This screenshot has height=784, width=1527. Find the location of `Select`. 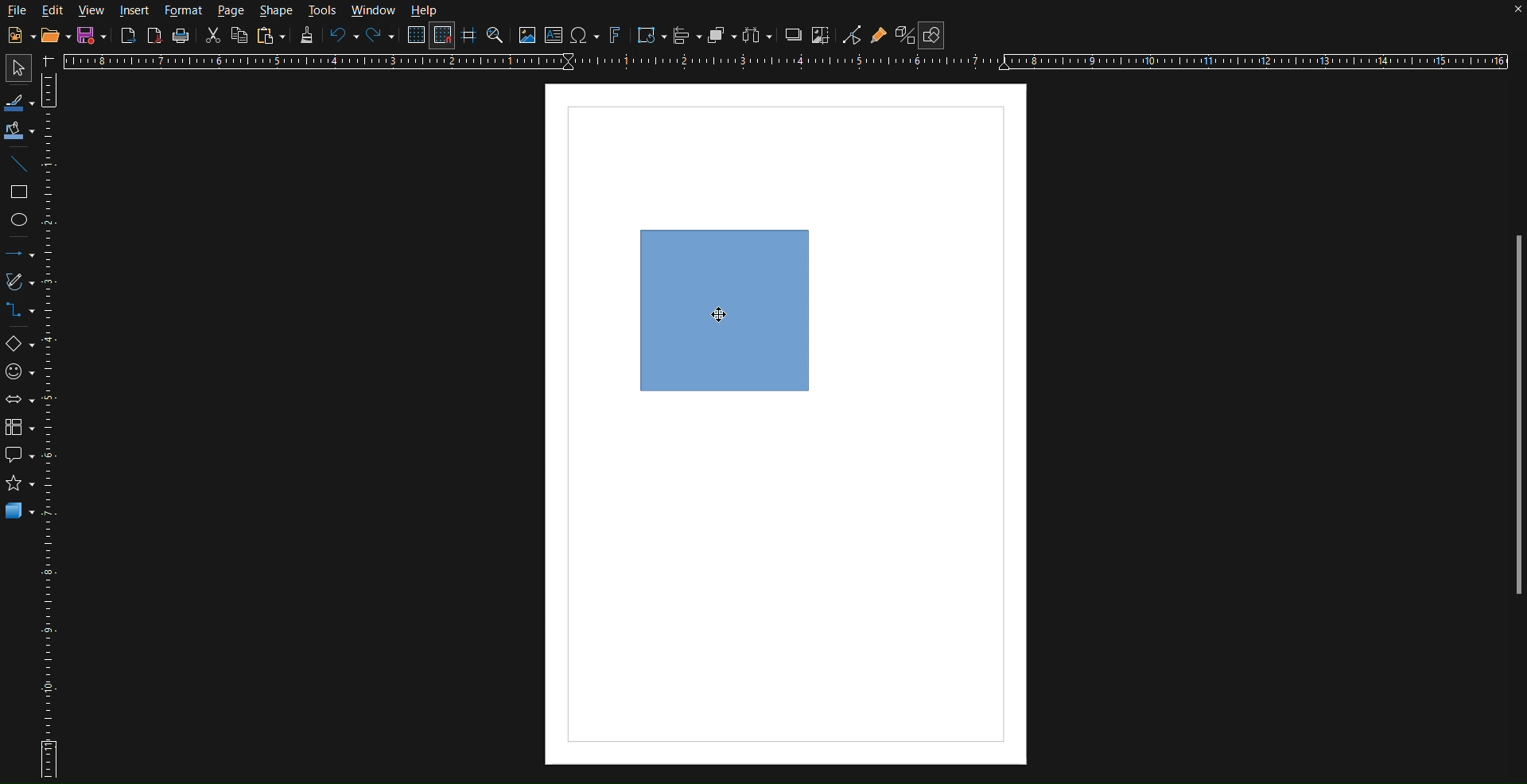

Select is located at coordinates (14, 68).